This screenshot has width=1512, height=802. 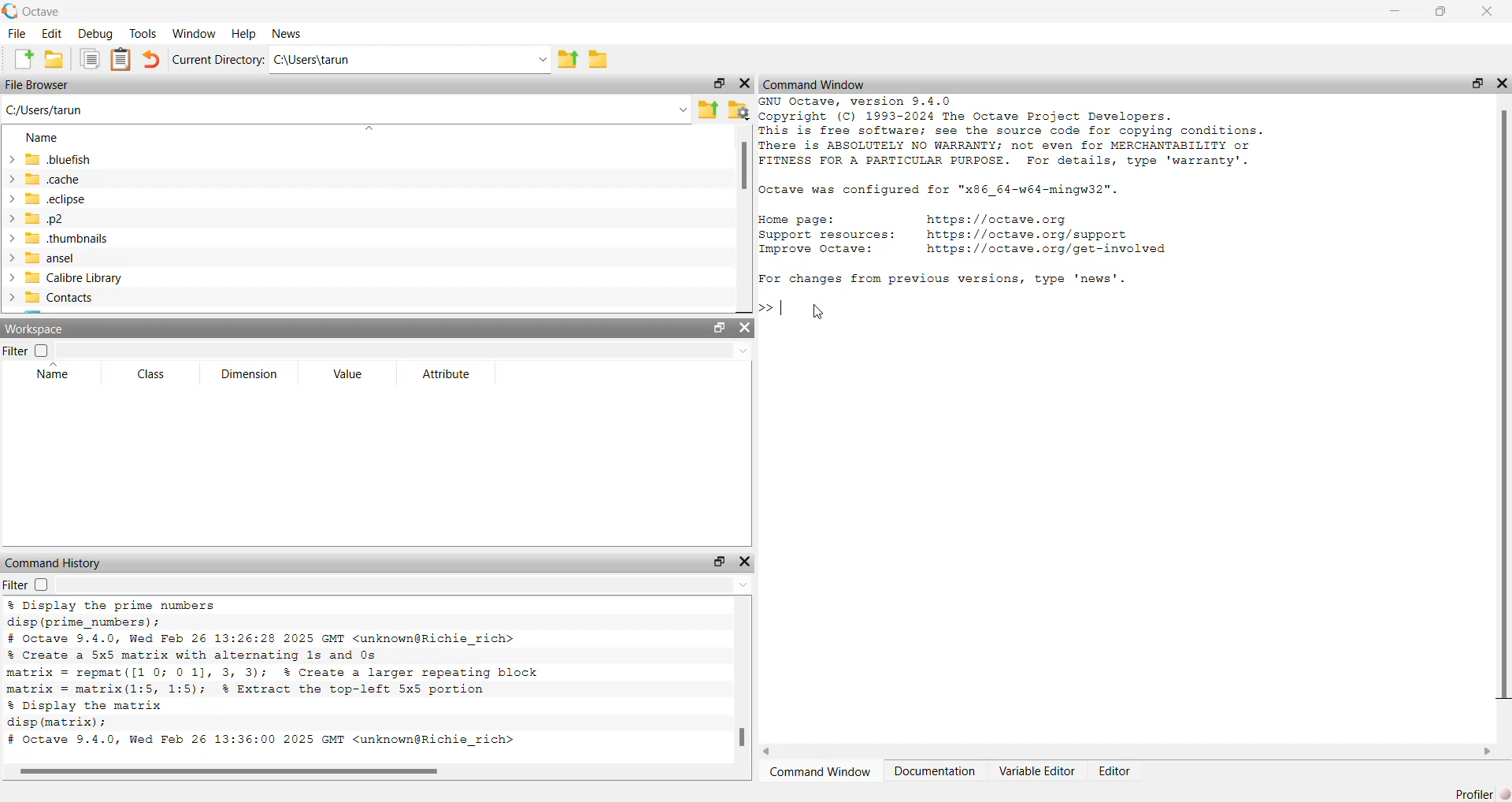 What do you see at coordinates (80, 277) in the screenshot?
I see `calibre library` at bounding box center [80, 277].